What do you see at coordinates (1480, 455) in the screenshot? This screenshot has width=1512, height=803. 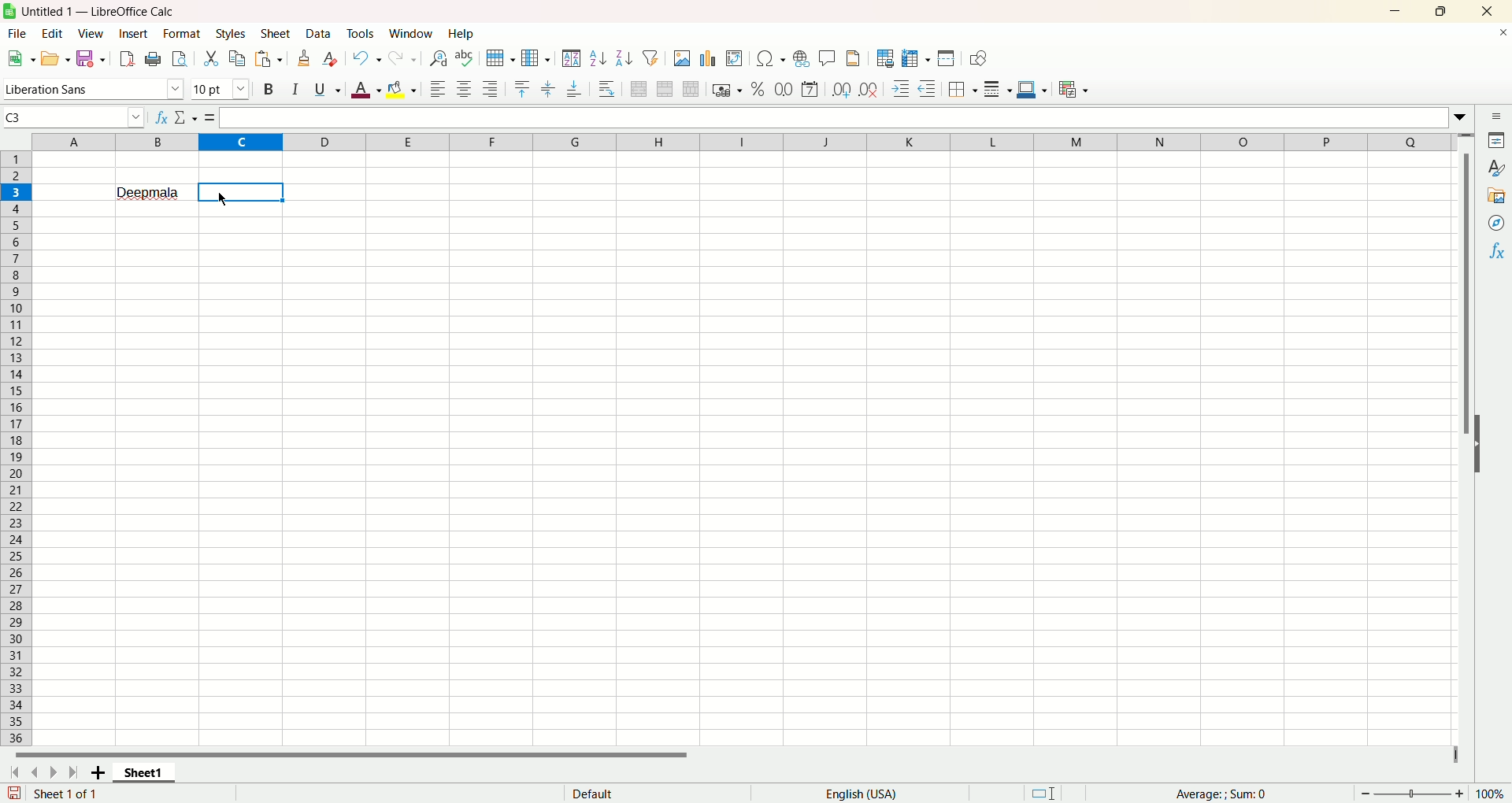 I see `hide` at bounding box center [1480, 455].